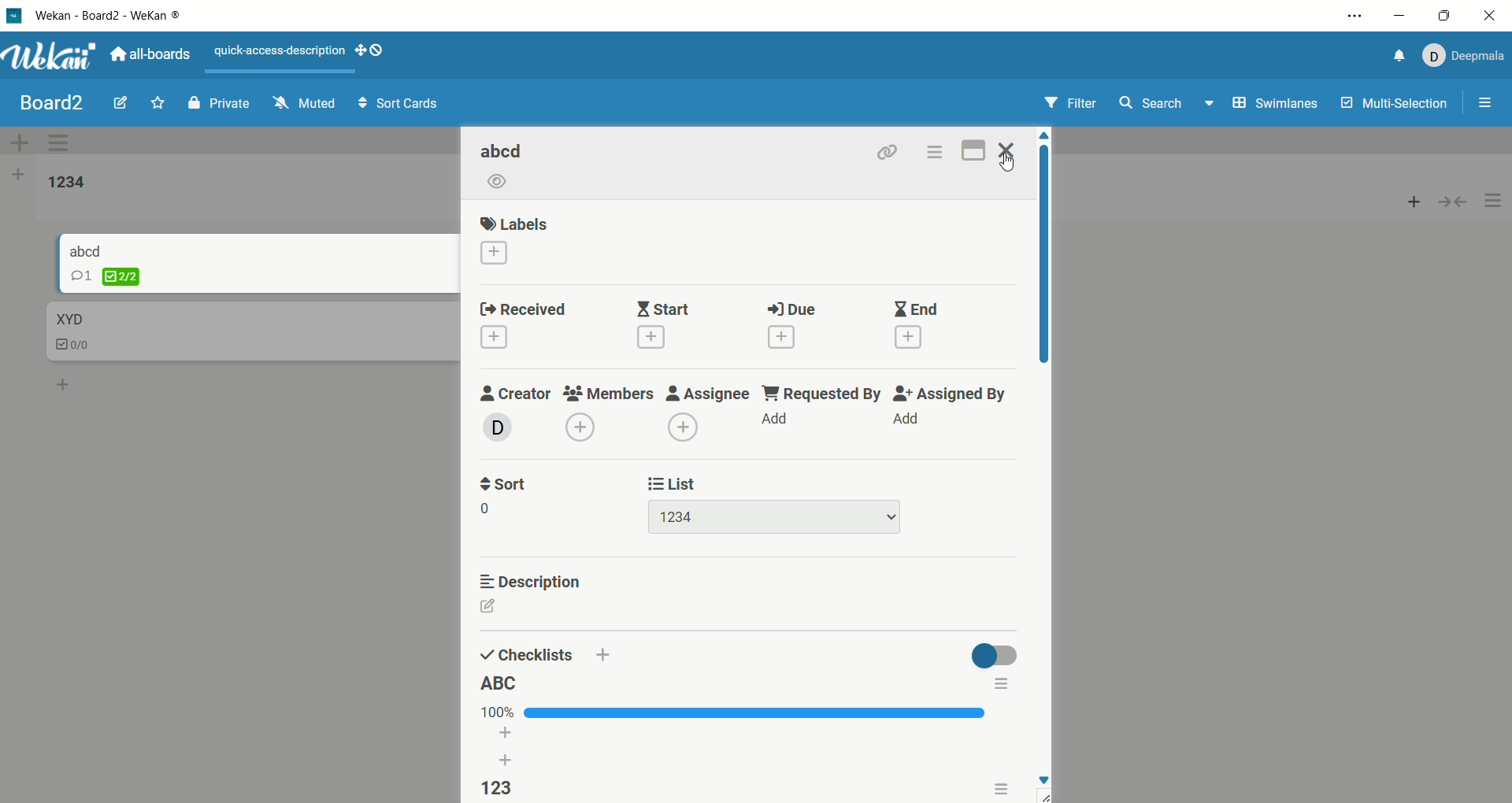 This screenshot has height=803, width=1512. Describe the element at coordinates (1443, 14) in the screenshot. I see `maximize` at that location.